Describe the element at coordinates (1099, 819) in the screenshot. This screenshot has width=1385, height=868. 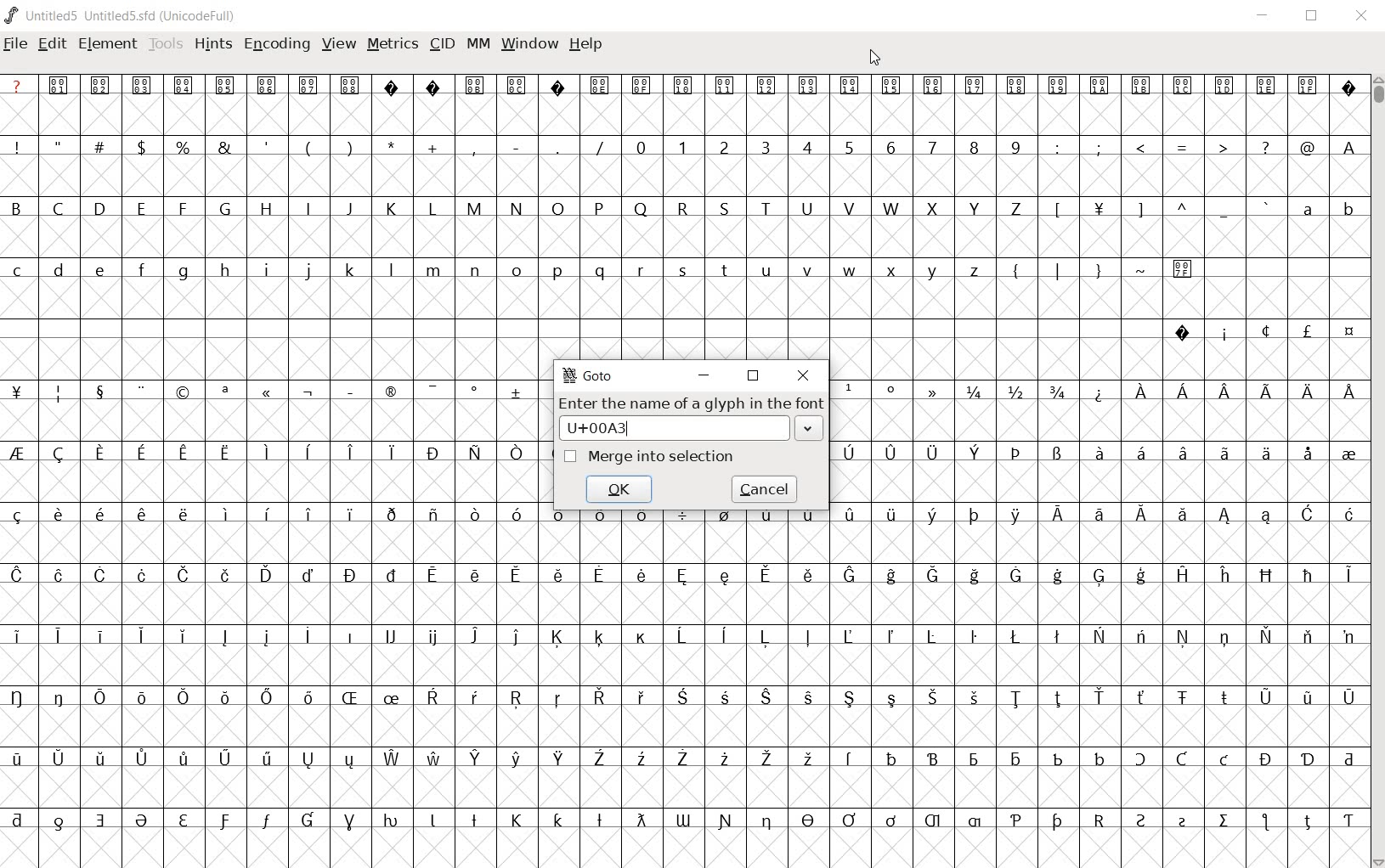
I see `Symbol` at that location.